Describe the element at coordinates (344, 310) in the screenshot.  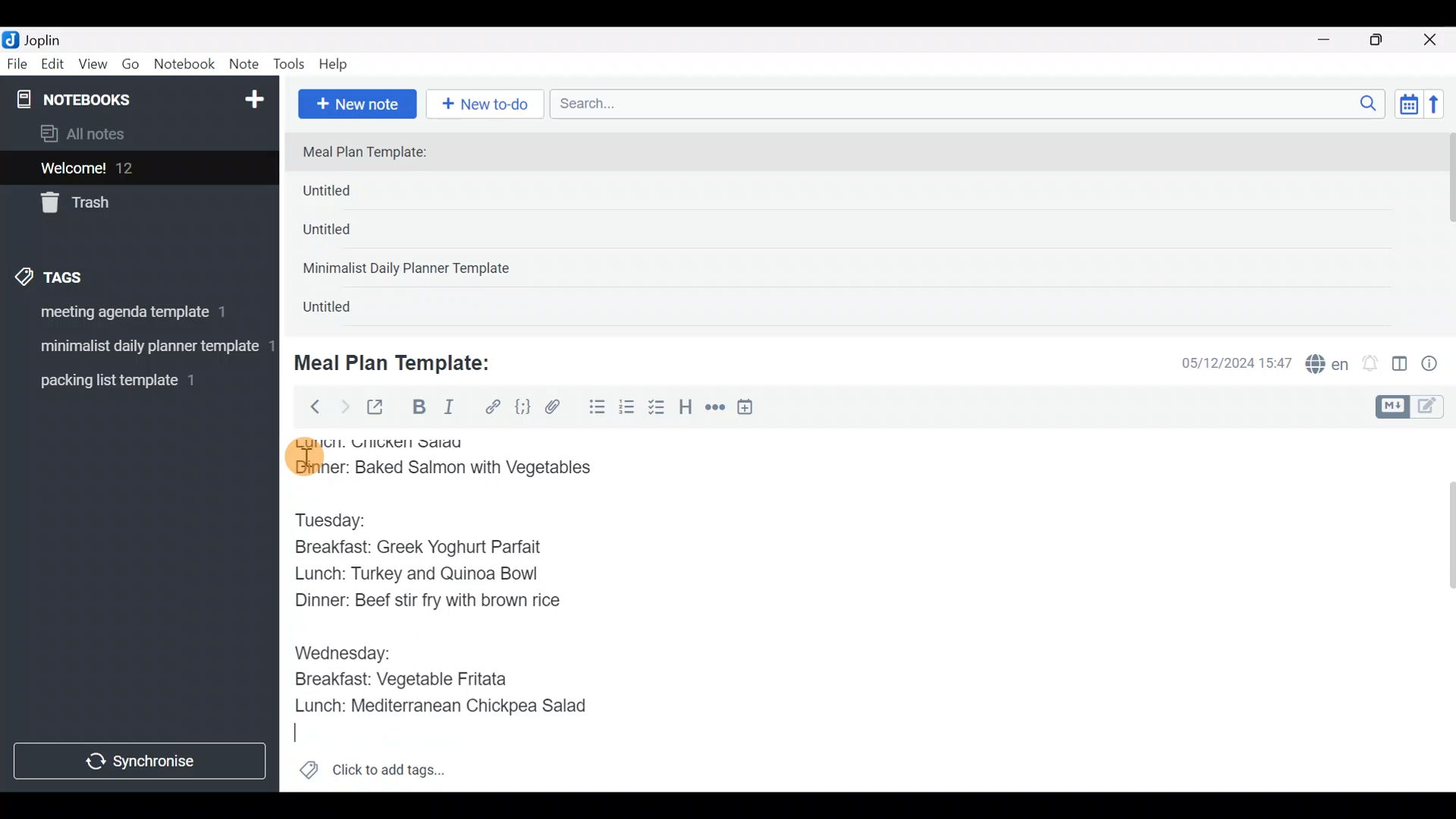
I see `Untitled` at that location.